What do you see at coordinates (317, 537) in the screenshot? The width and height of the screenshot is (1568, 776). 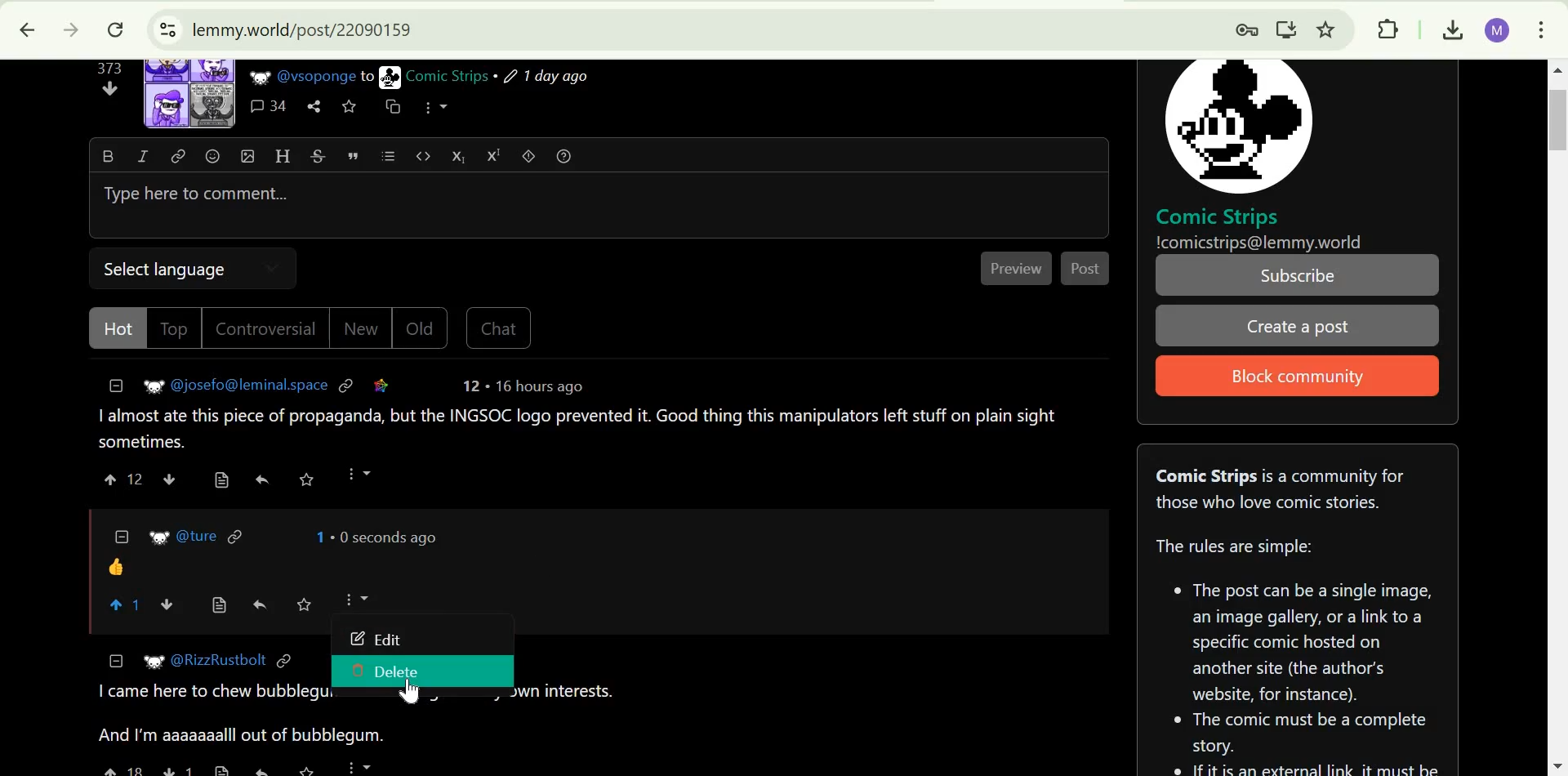 I see `1 point` at bounding box center [317, 537].